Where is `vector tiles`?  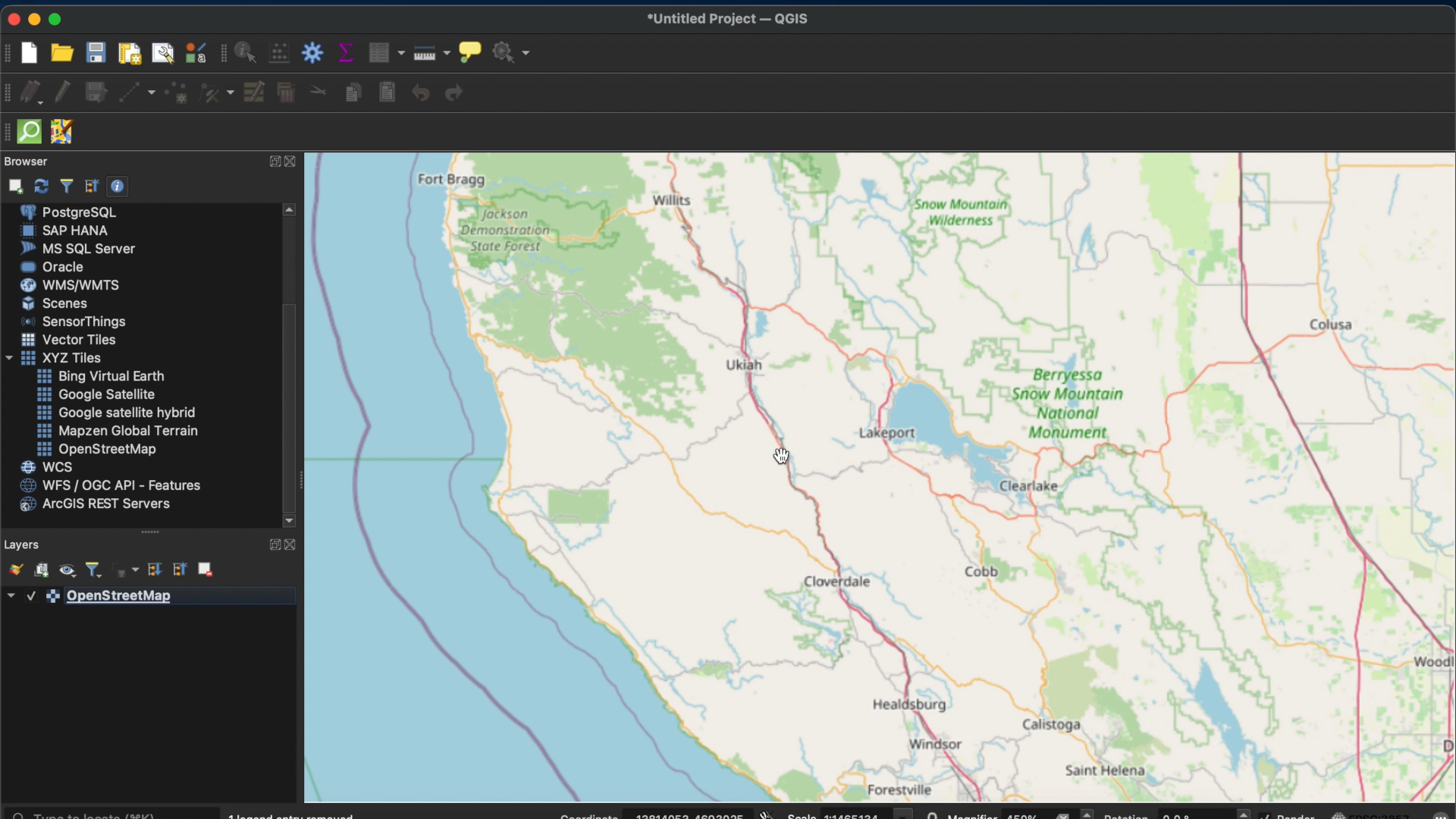 vector tiles is located at coordinates (70, 340).